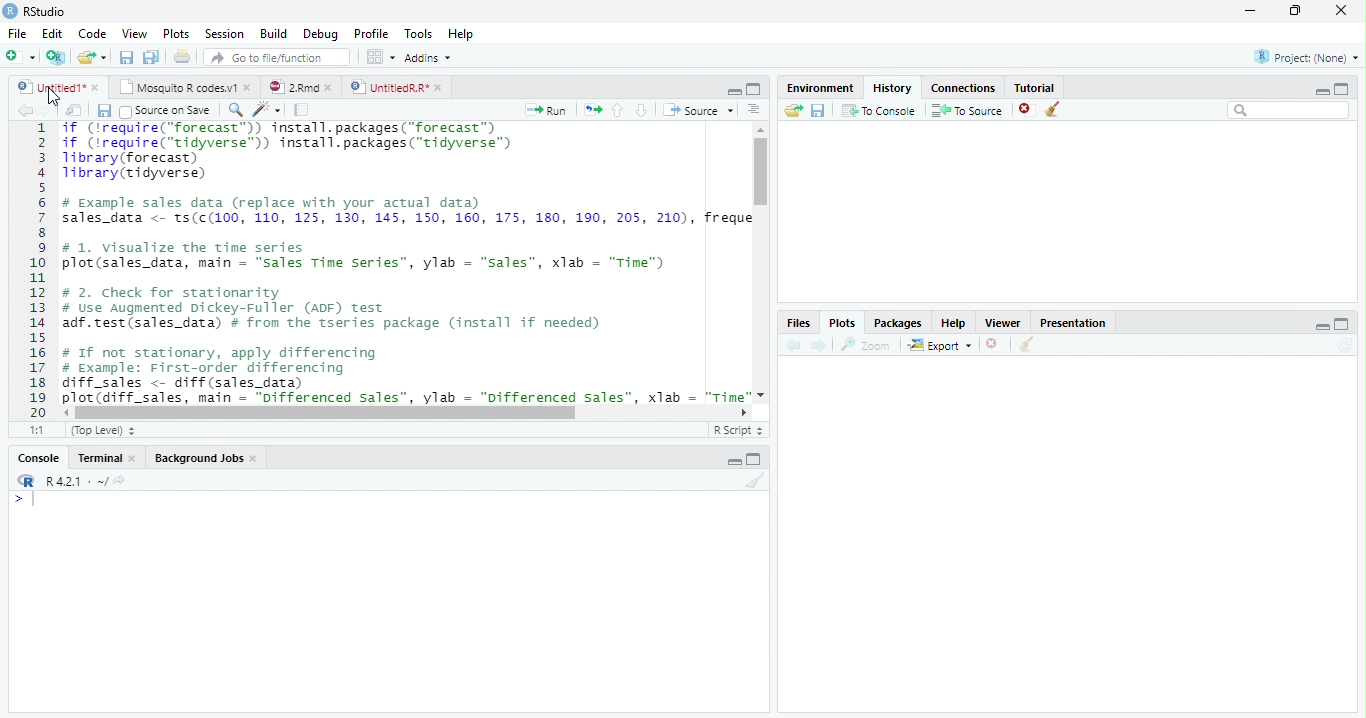 The width and height of the screenshot is (1366, 718). I want to click on # 2. Check for stationarity
# Use Augmented Dickey-Fuller (ADF) Test
adf.test(sales_data) # from the tseries package (install if needed), so click(332, 309).